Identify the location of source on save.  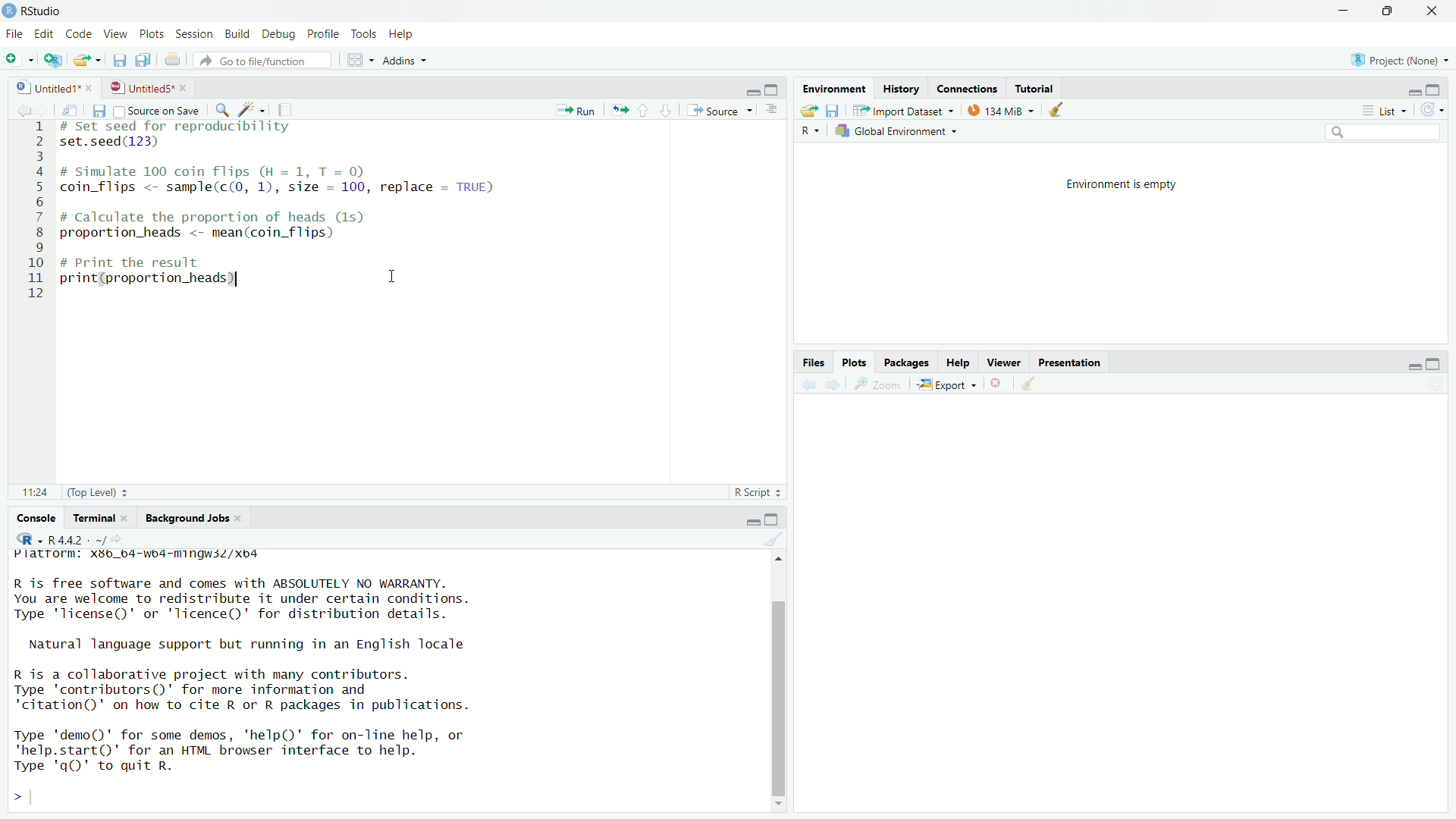
(156, 108).